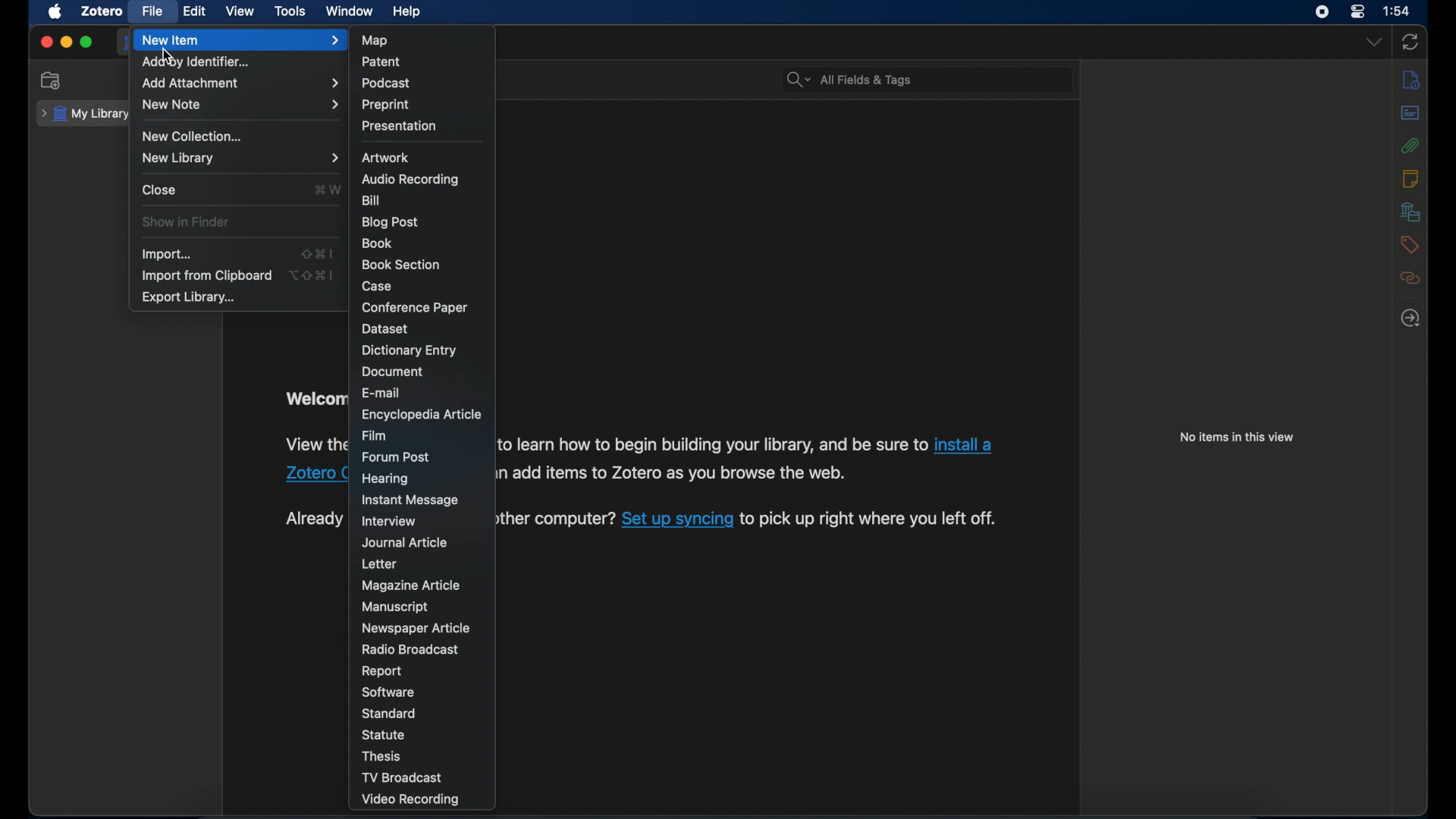 This screenshot has height=819, width=1456. What do you see at coordinates (1411, 146) in the screenshot?
I see `attachment` at bounding box center [1411, 146].